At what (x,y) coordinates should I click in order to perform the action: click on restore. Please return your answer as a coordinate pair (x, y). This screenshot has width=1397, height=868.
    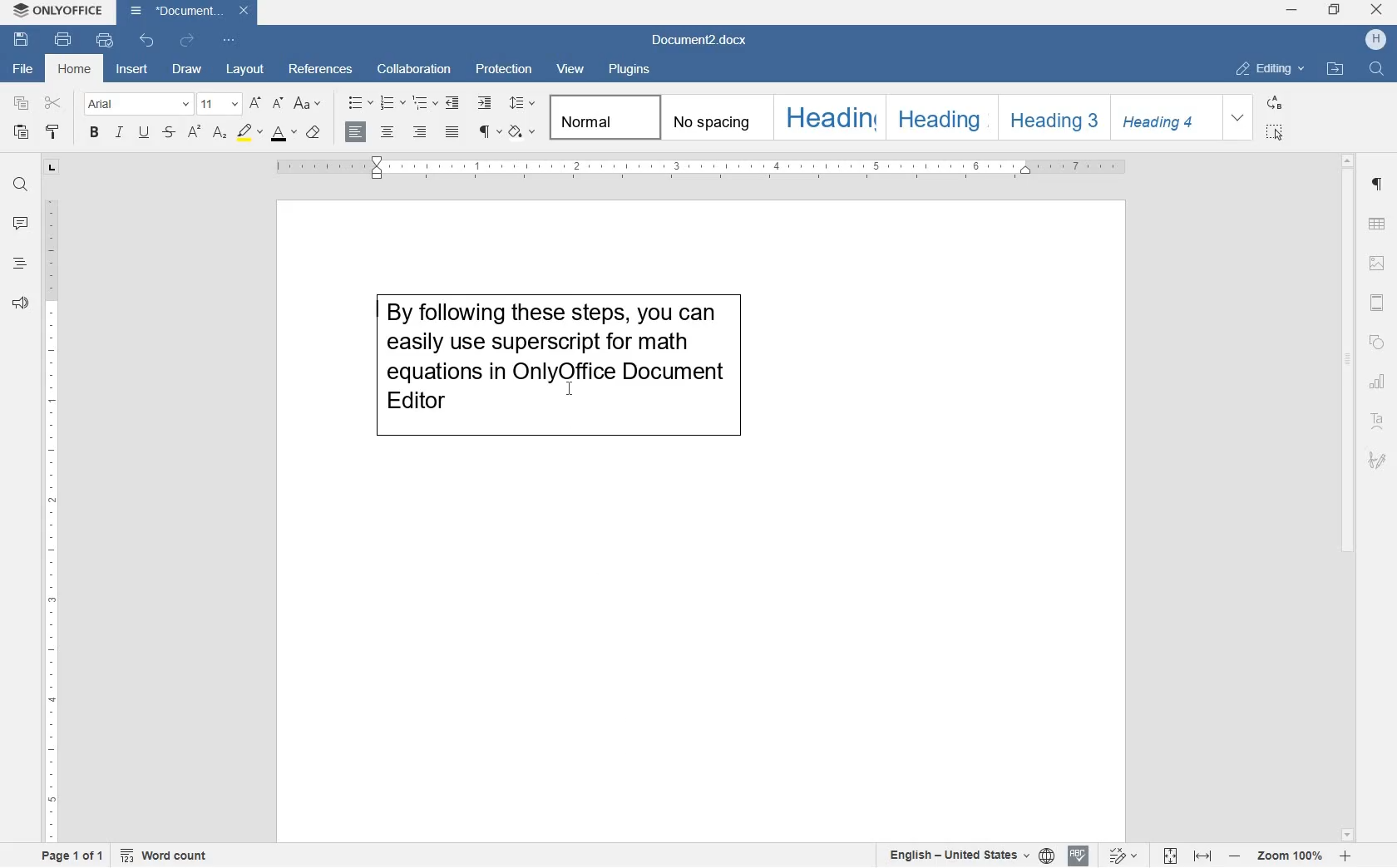
    Looking at the image, I should click on (1335, 11).